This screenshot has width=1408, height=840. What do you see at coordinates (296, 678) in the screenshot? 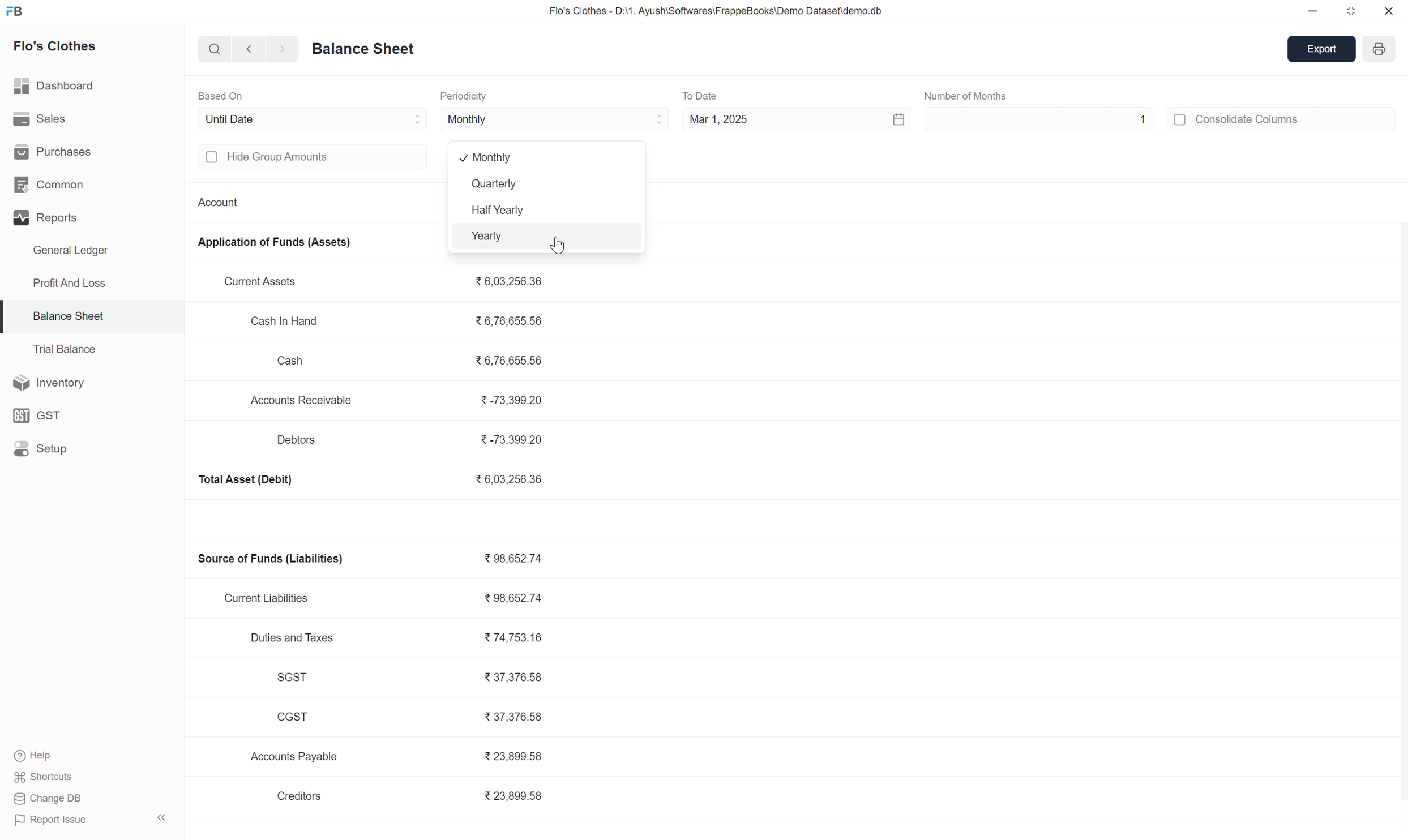
I see `SGST` at bounding box center [296, 678].